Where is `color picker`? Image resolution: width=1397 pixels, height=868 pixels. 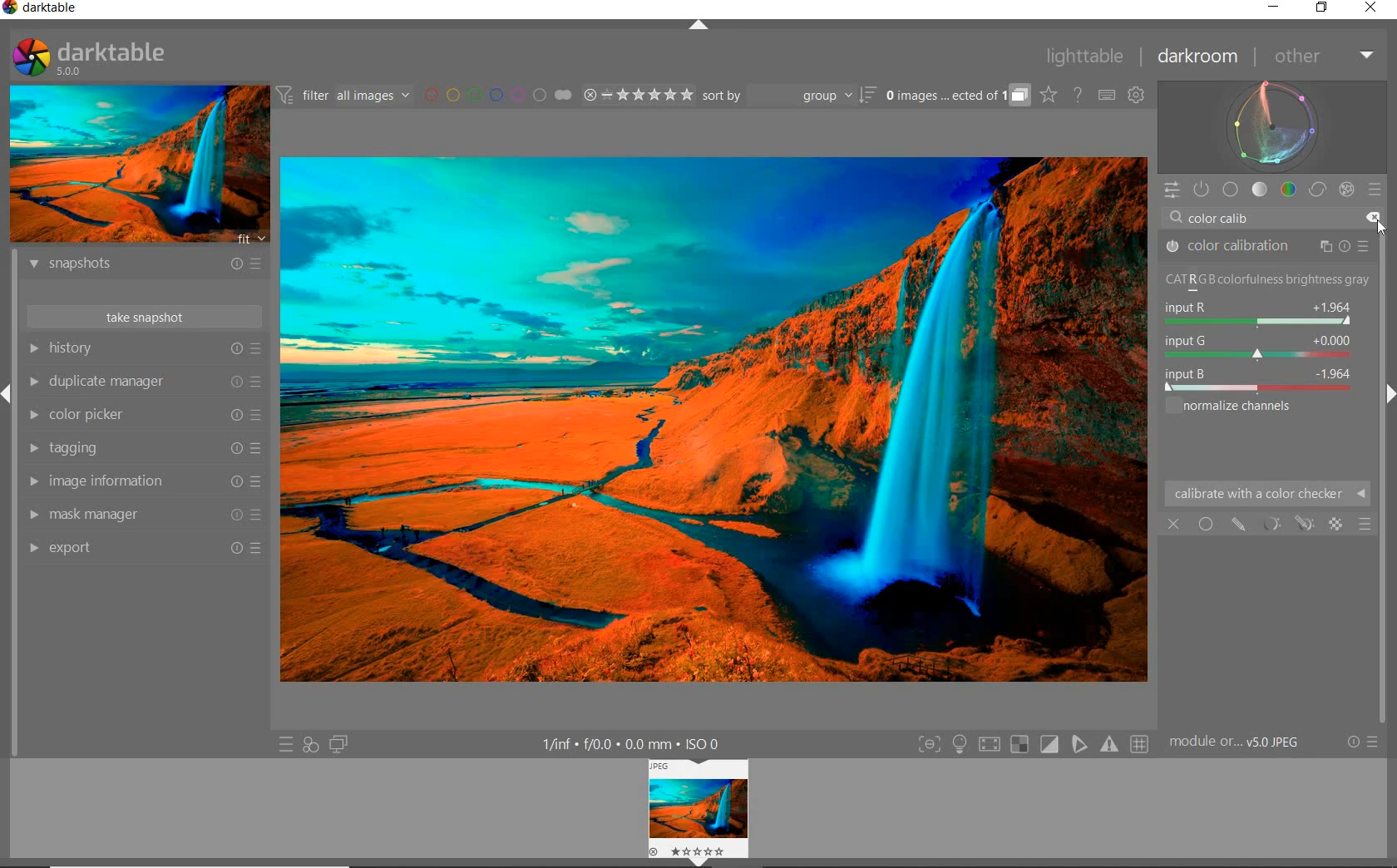 color picker is located at coordinates (143, 415).